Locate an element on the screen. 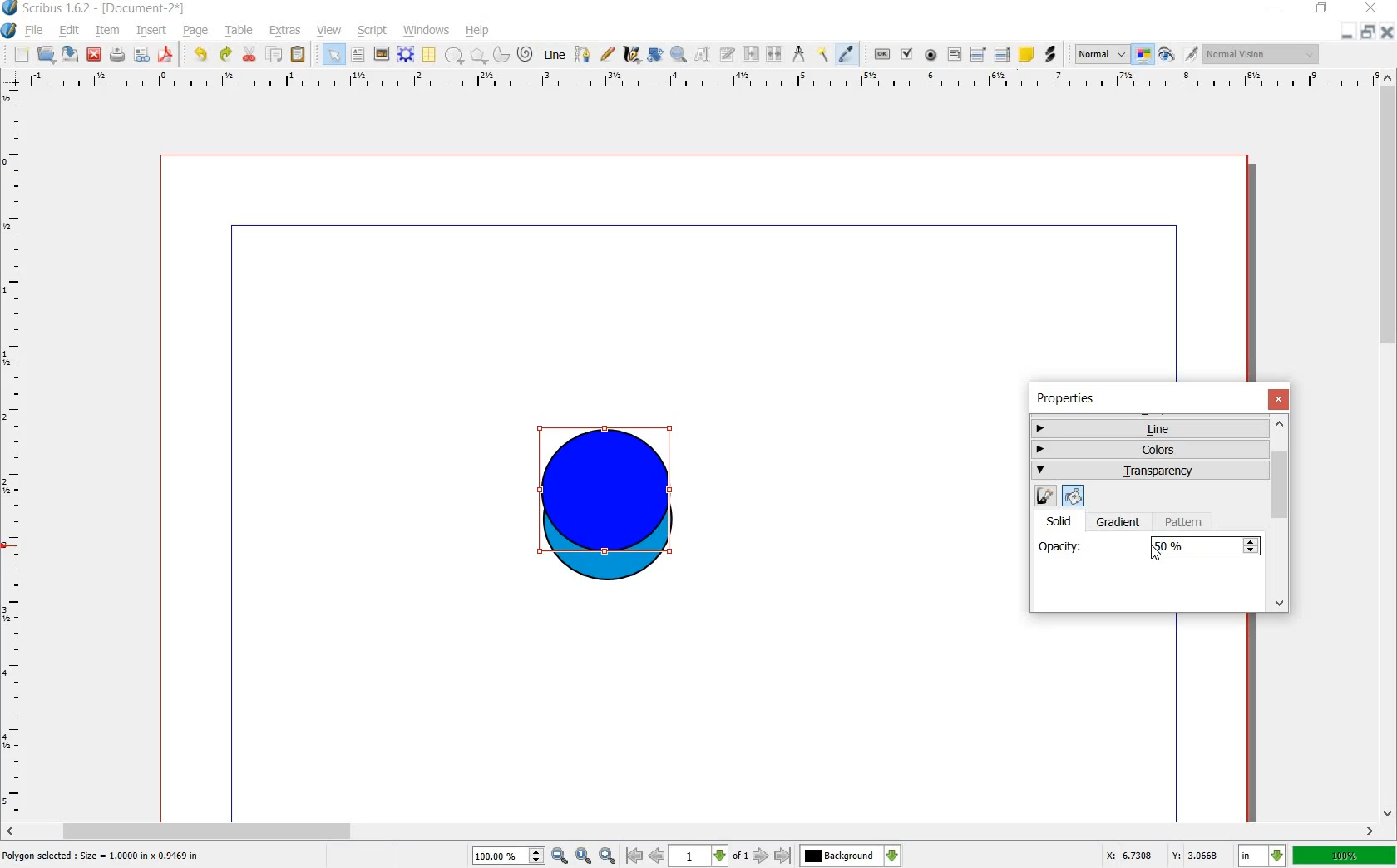 The width and height of the screenshot is (1397, 868). scribus 1.6.2 - [document-2*] is located at coordinates (106, 8).